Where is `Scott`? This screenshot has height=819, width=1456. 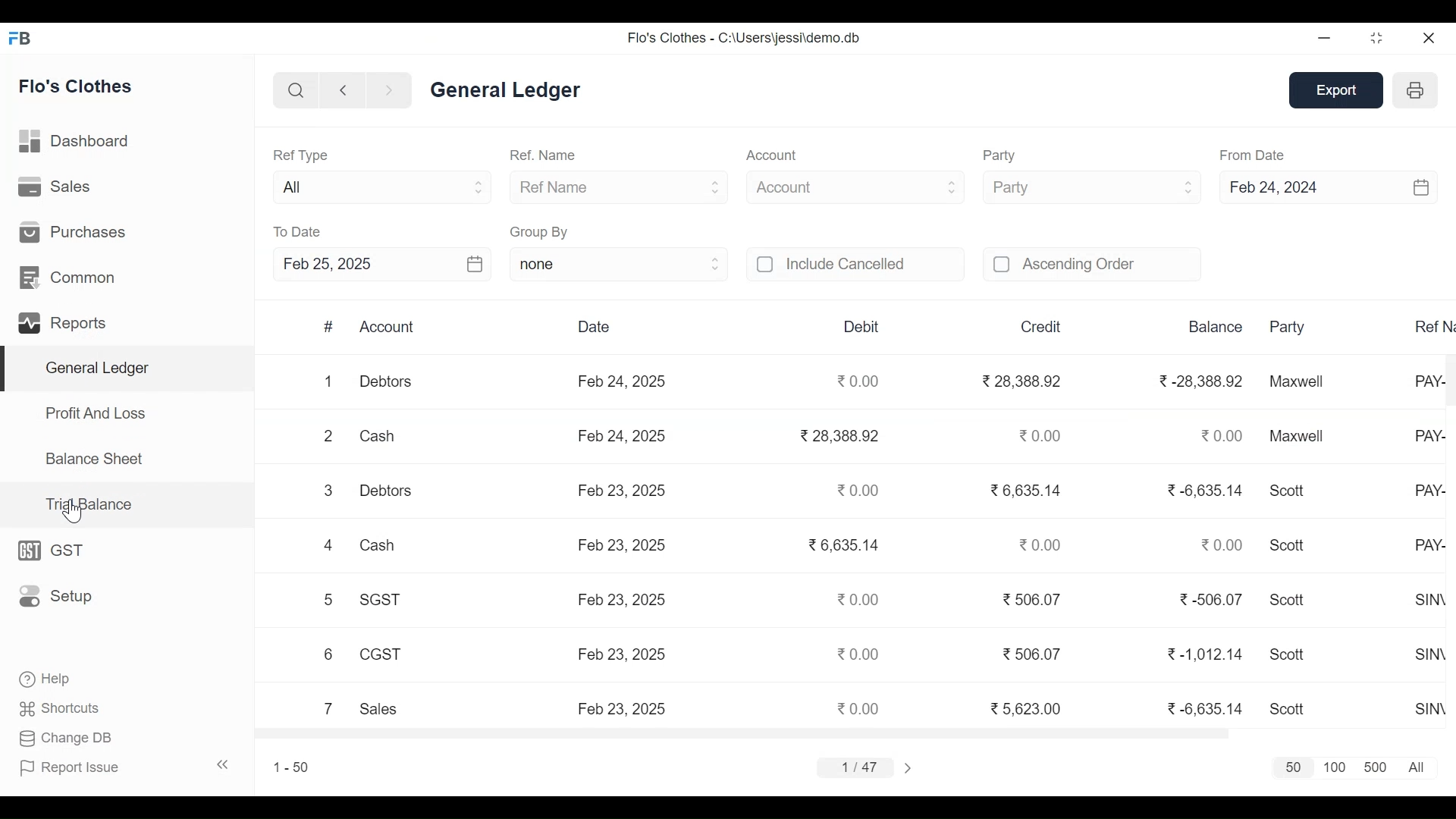 Scott is located at coordinates (1290, 653).